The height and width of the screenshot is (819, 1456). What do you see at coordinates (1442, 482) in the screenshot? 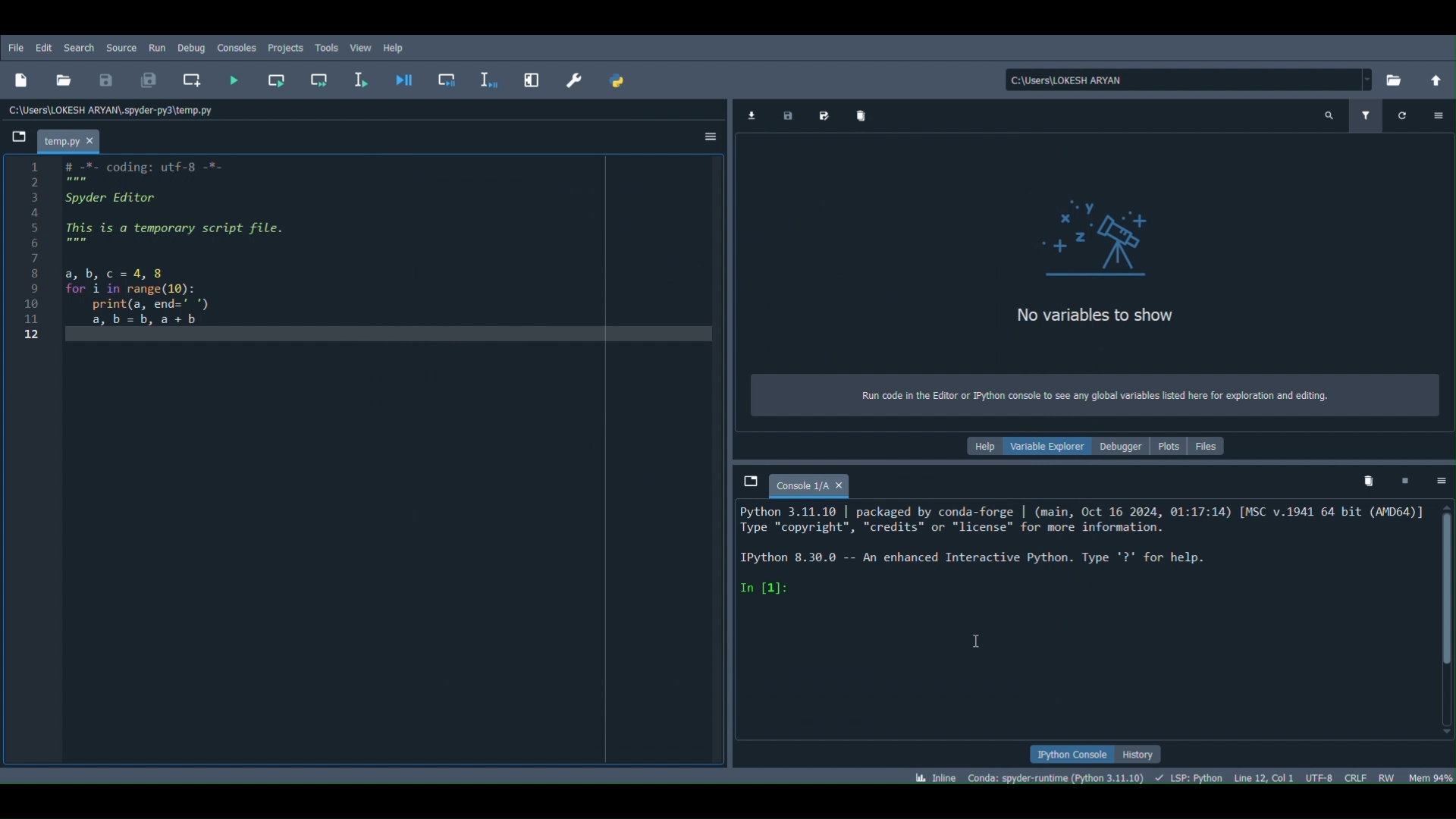
I see `Options` at bounding box center [1442, 482].